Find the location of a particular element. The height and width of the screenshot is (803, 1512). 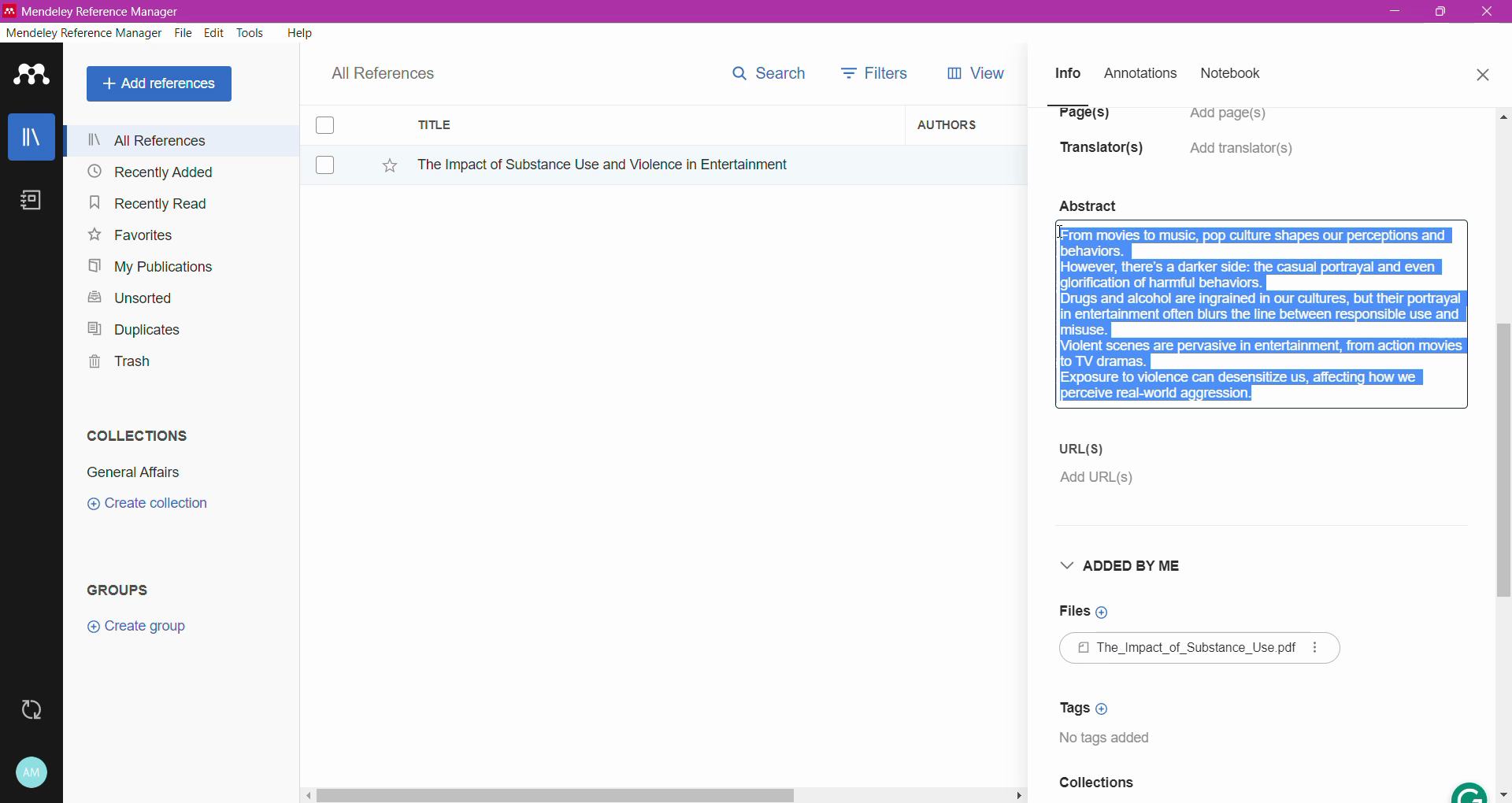

Info is located at coordinates (1067, 72).